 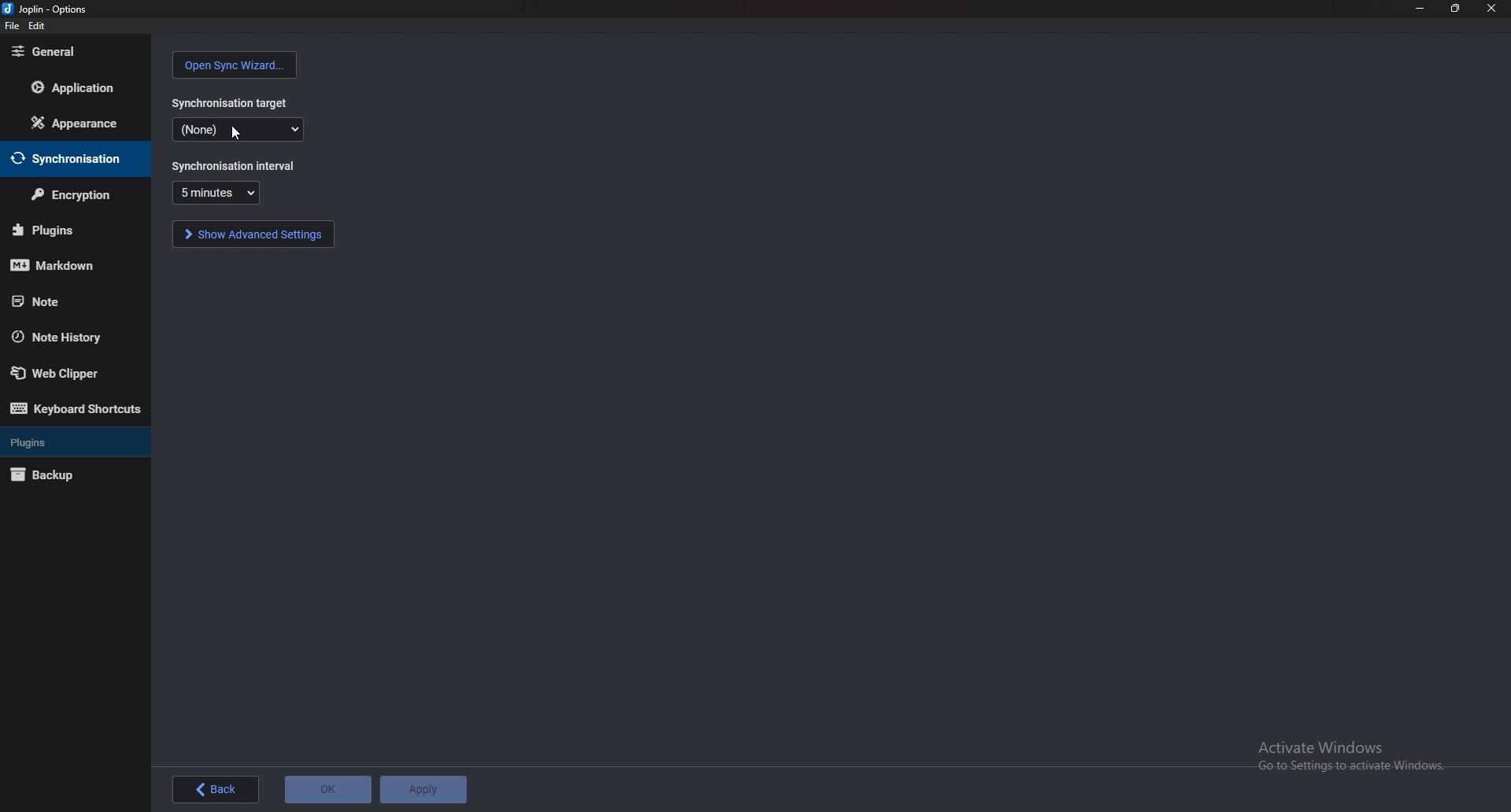 What do you see at coordinates (12, 26) in the screenshot?
I see `file` at bounding box center [12, 26].